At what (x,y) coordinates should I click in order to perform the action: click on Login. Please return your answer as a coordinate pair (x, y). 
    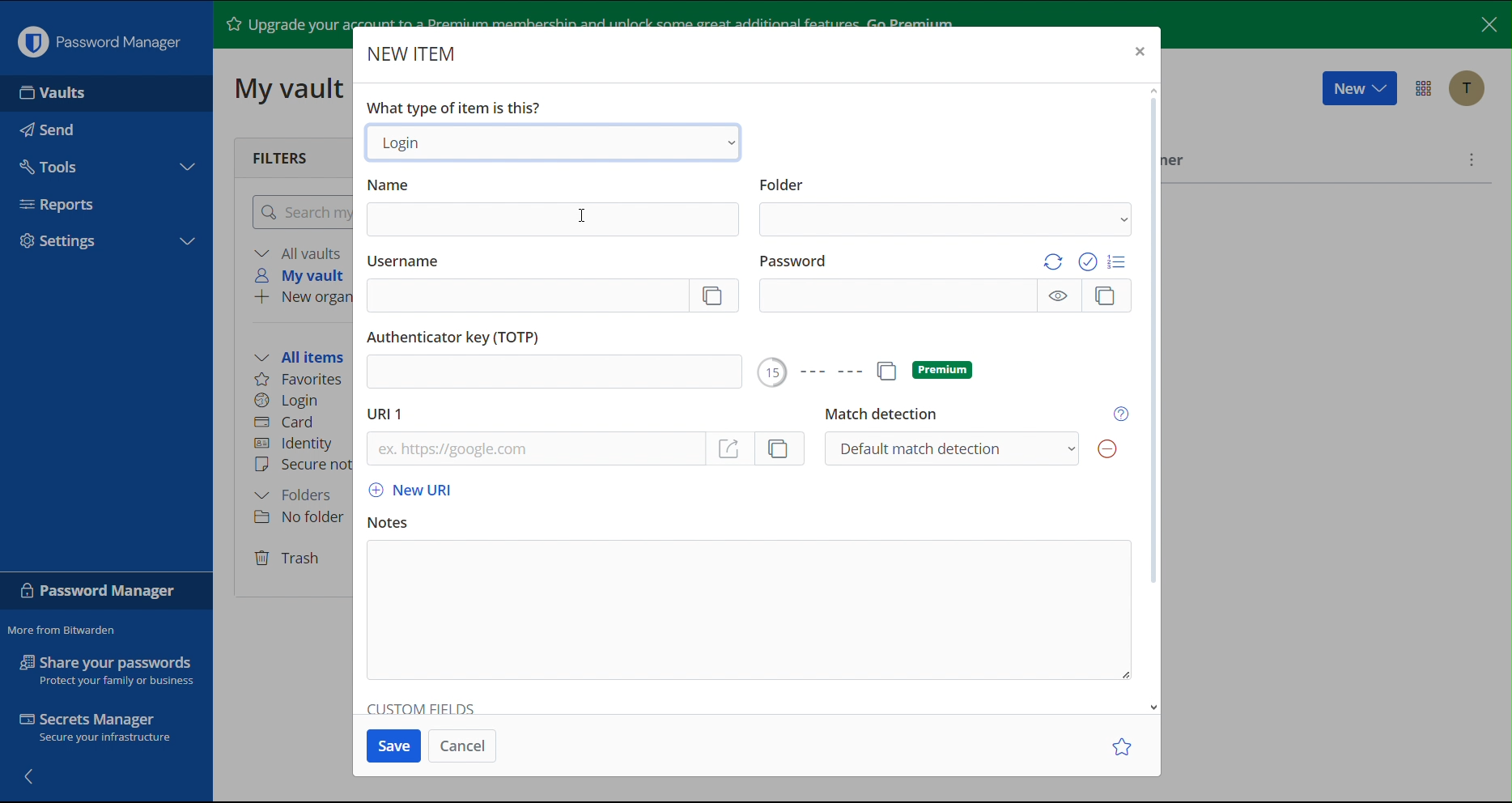
    Looking at the image, I should click on (289, 401).